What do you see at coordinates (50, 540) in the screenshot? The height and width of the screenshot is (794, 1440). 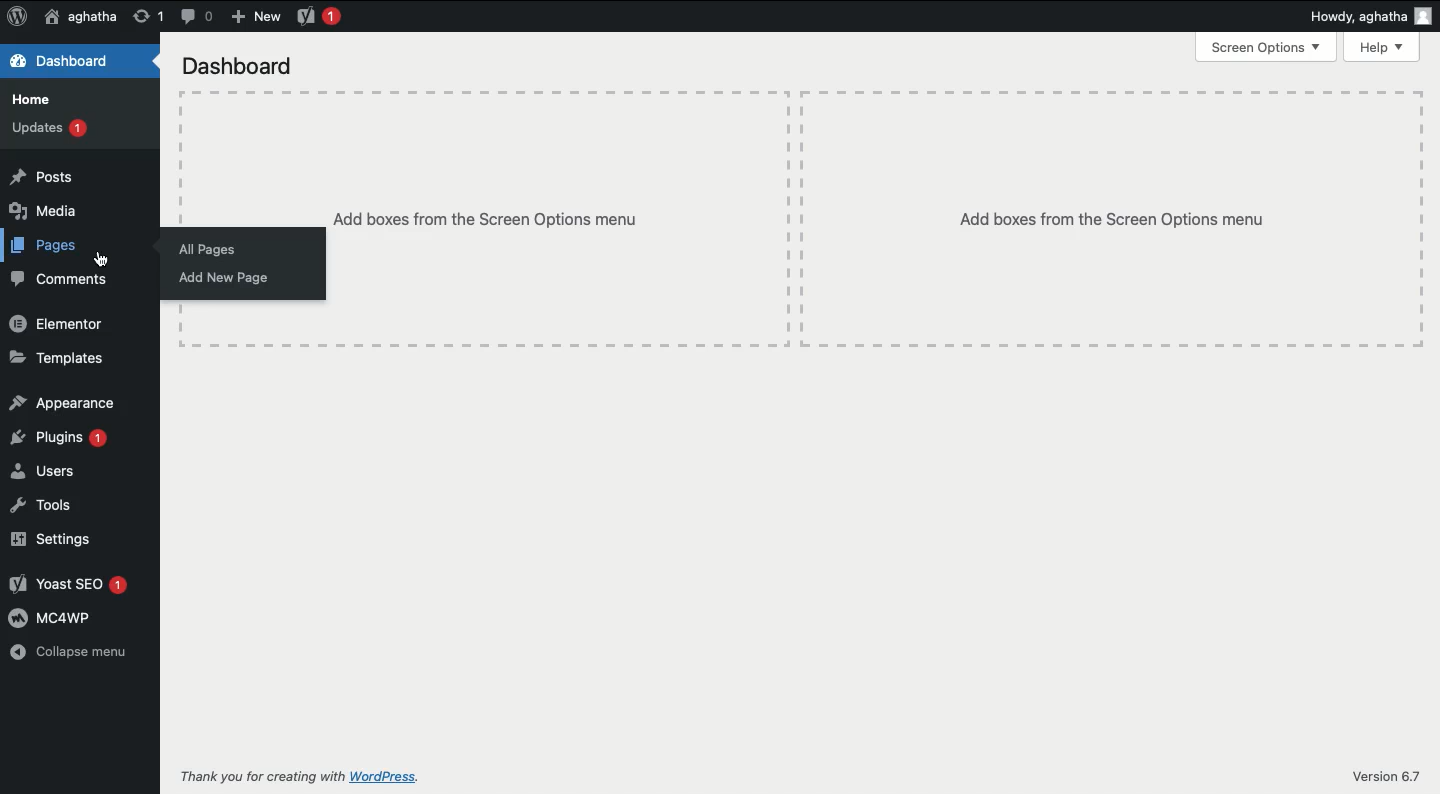 I see `Settings` at bounding box center [50, 540].